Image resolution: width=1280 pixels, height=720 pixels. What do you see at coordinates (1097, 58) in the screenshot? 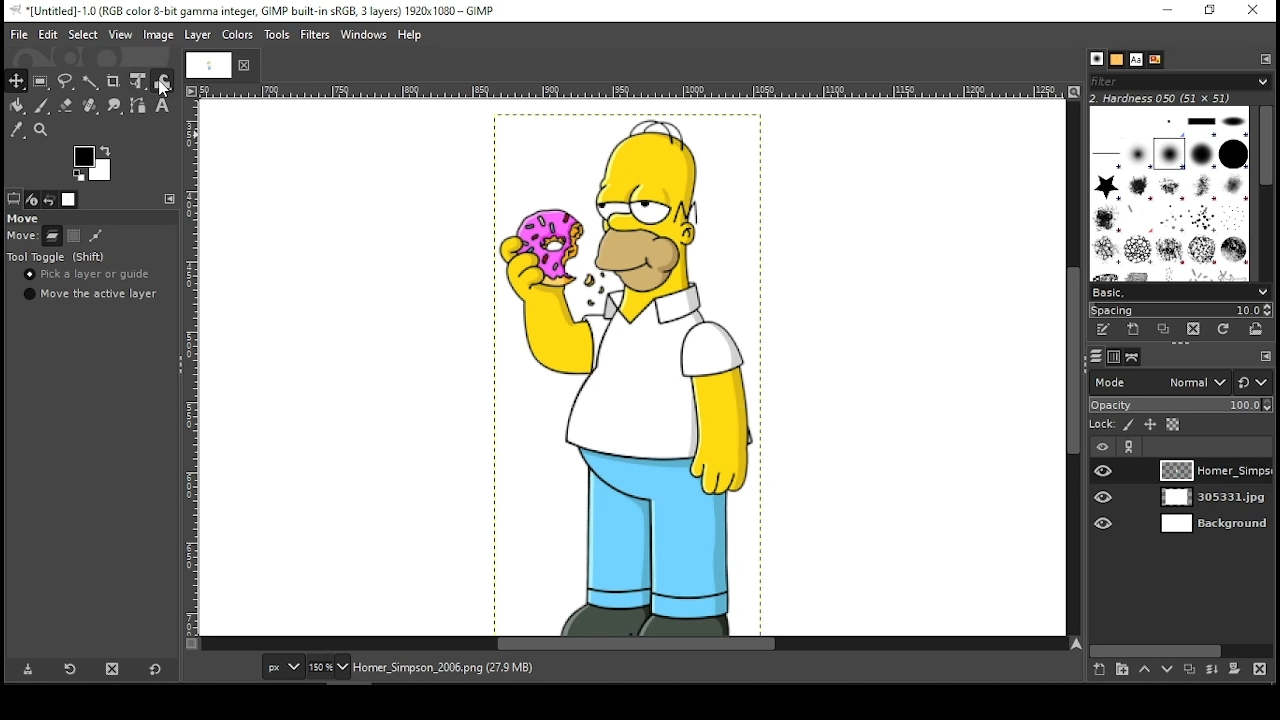
I see `brush` at bounding box center [1097, 58].